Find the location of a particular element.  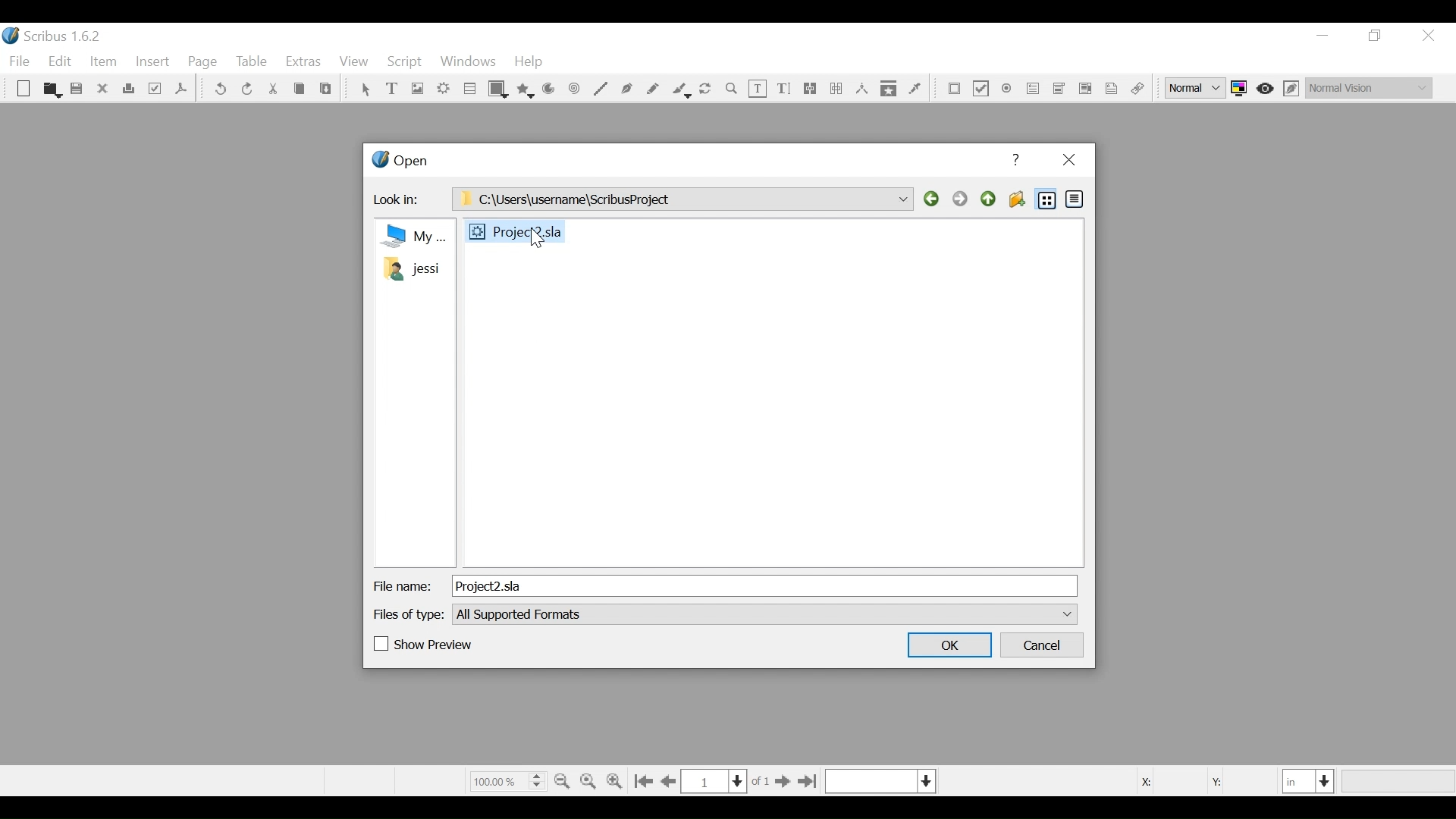

PDF List Box is located at coordinates (1059, 89).